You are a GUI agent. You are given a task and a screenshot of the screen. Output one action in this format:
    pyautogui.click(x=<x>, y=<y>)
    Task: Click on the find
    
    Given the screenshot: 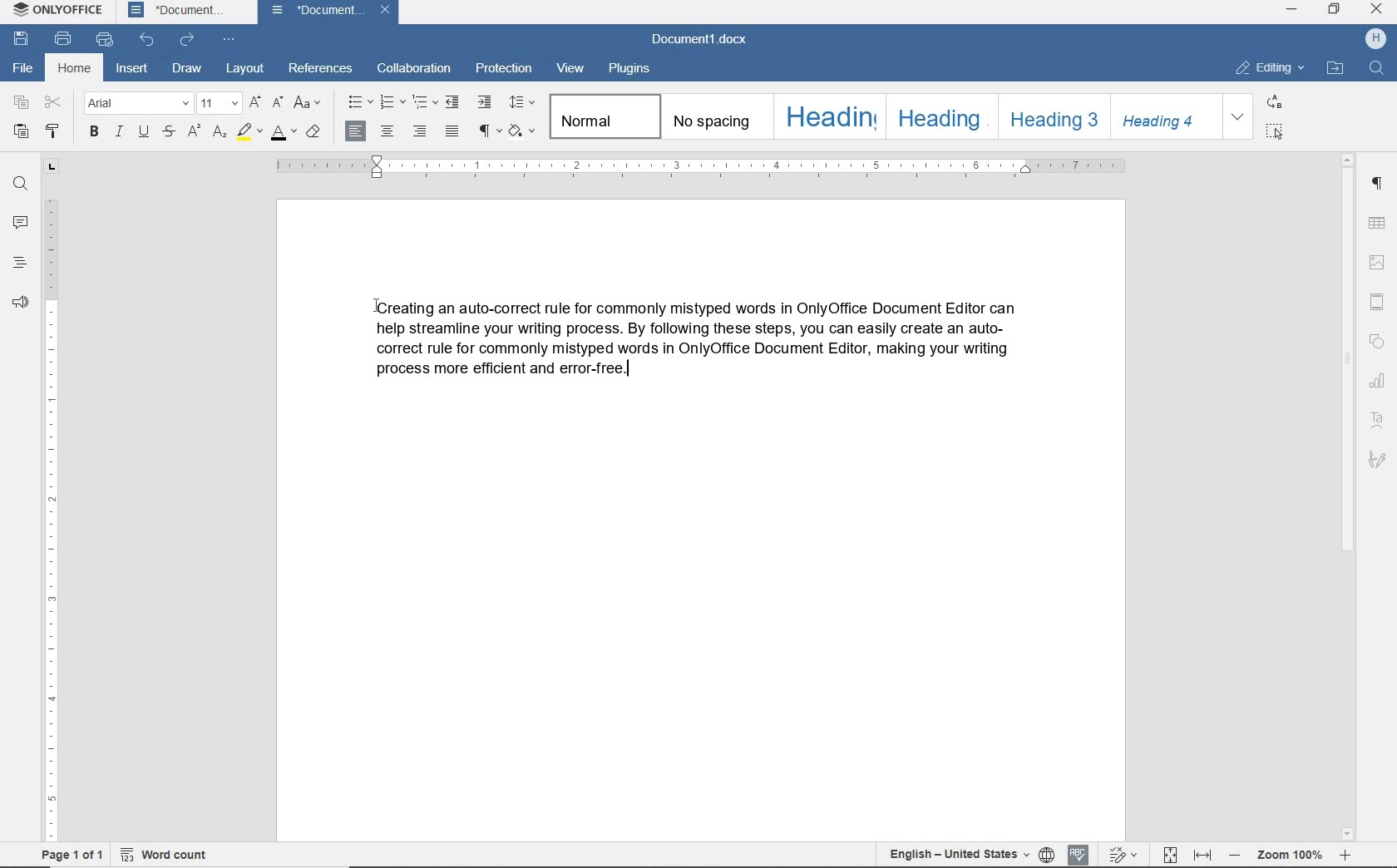 What is the action you would take?
    pyautogui.click(x=20, y=184)
    